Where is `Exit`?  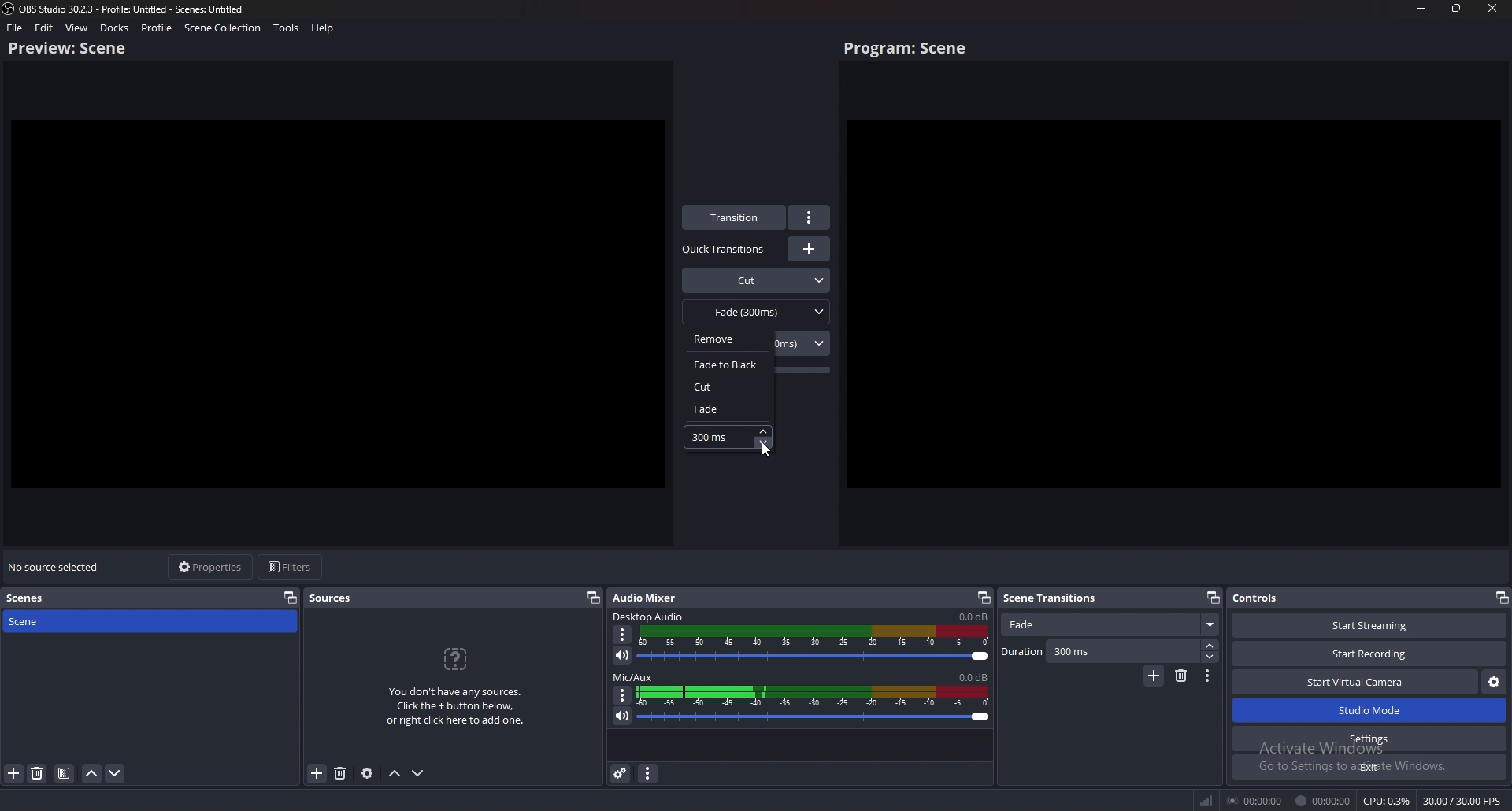
Exit is located at coordinates (1369, 767).